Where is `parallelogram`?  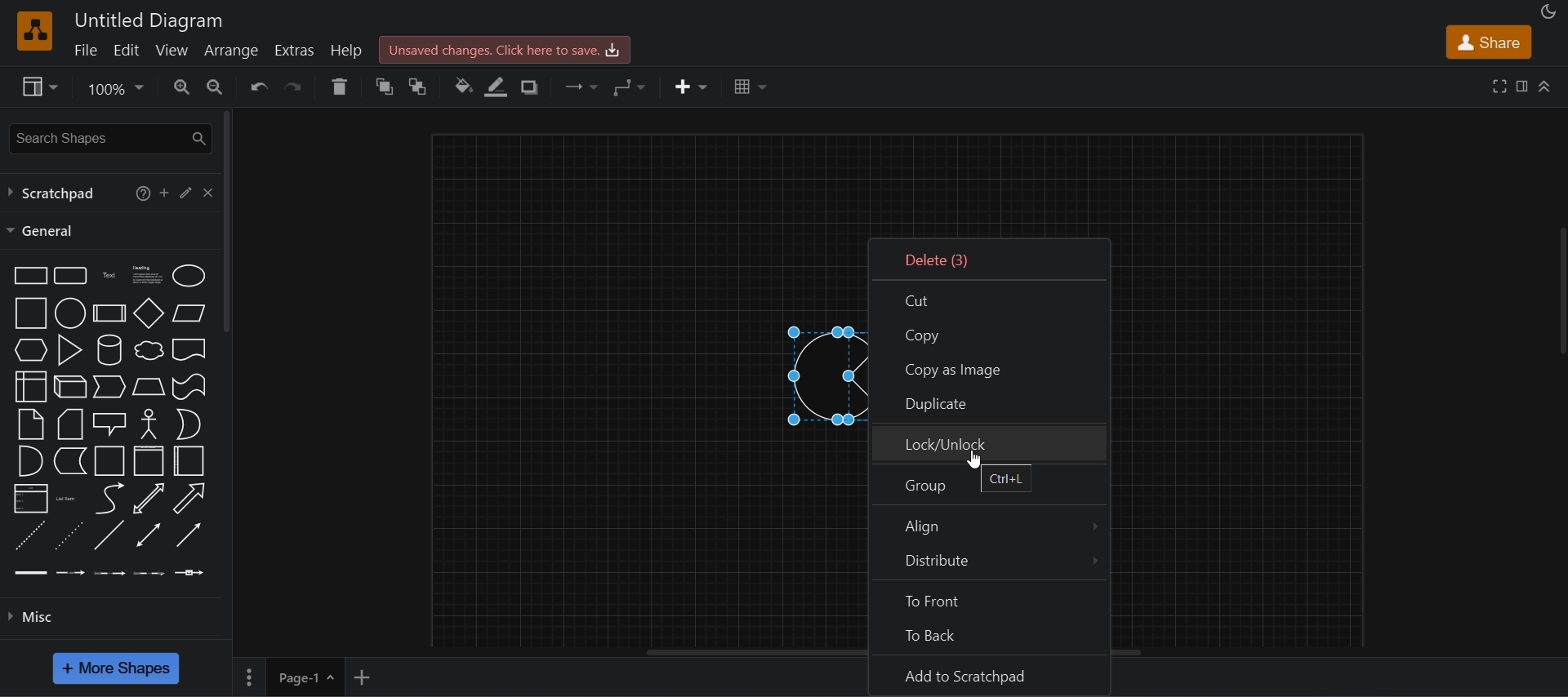
parallelogram is located at coordinates (189, 313).